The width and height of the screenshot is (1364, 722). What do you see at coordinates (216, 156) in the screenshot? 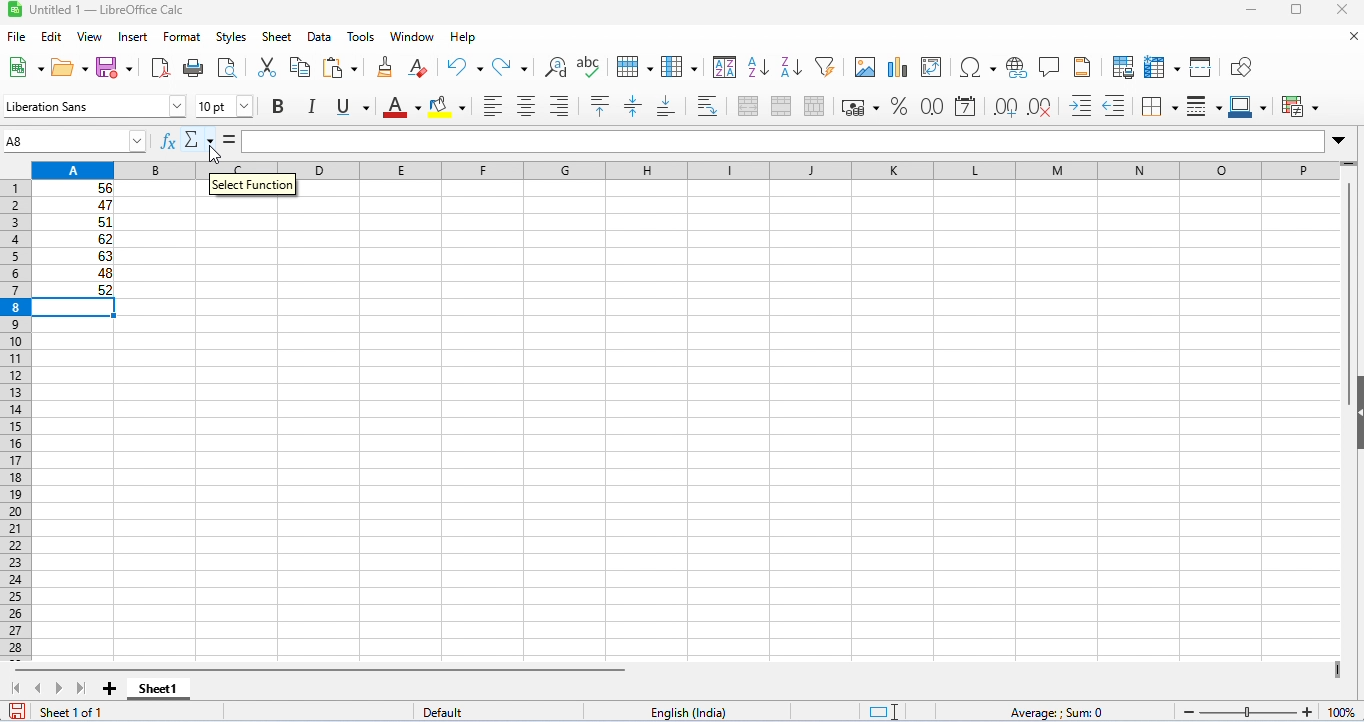
I see `cursor` at bounding box center [216, 156].